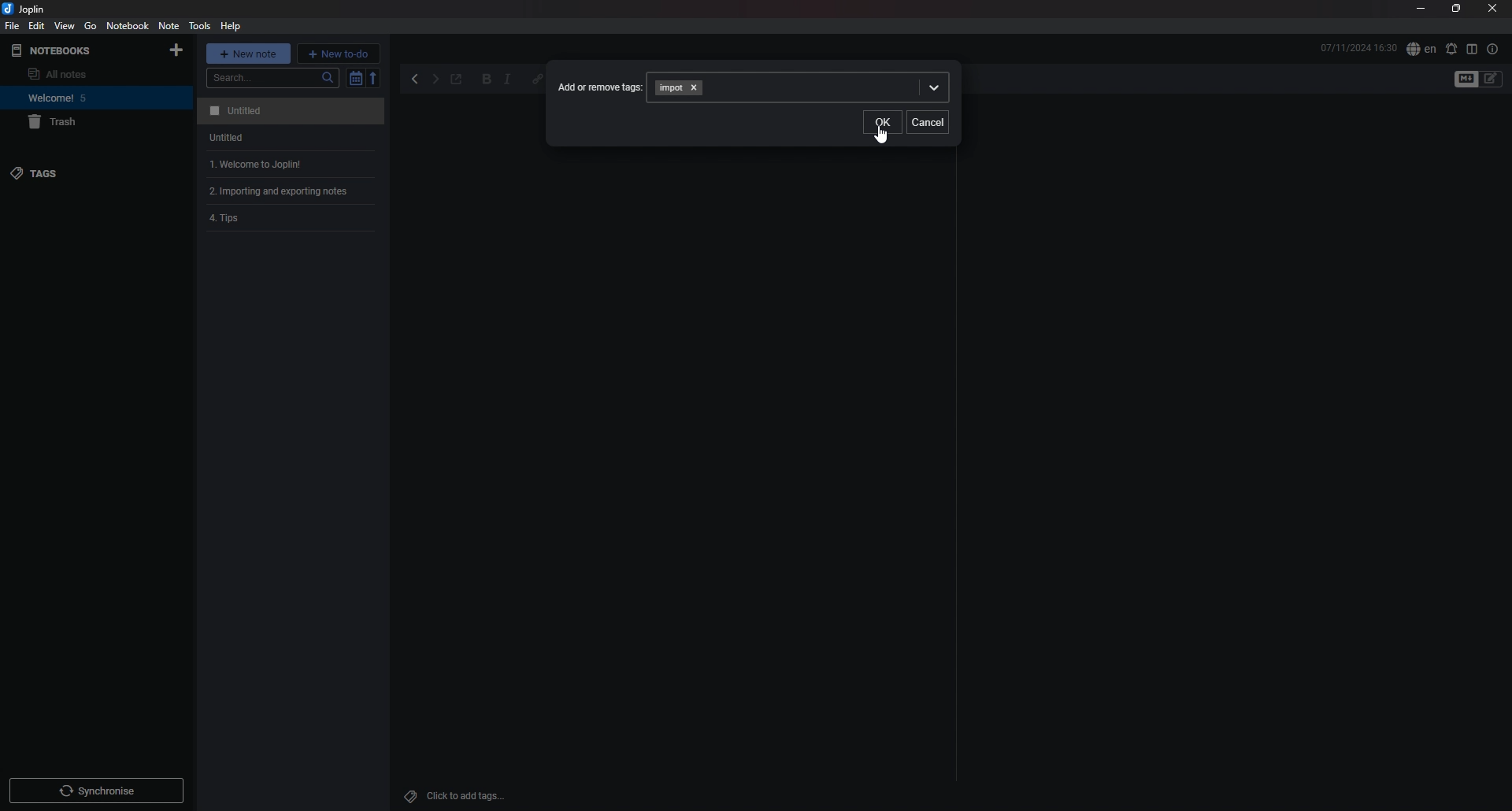 This screenshot has width=1512, height=811. Describe the element at coordinates (293, 192) in the screenshot. I see `2. Importing and exporting notes:` at that location.